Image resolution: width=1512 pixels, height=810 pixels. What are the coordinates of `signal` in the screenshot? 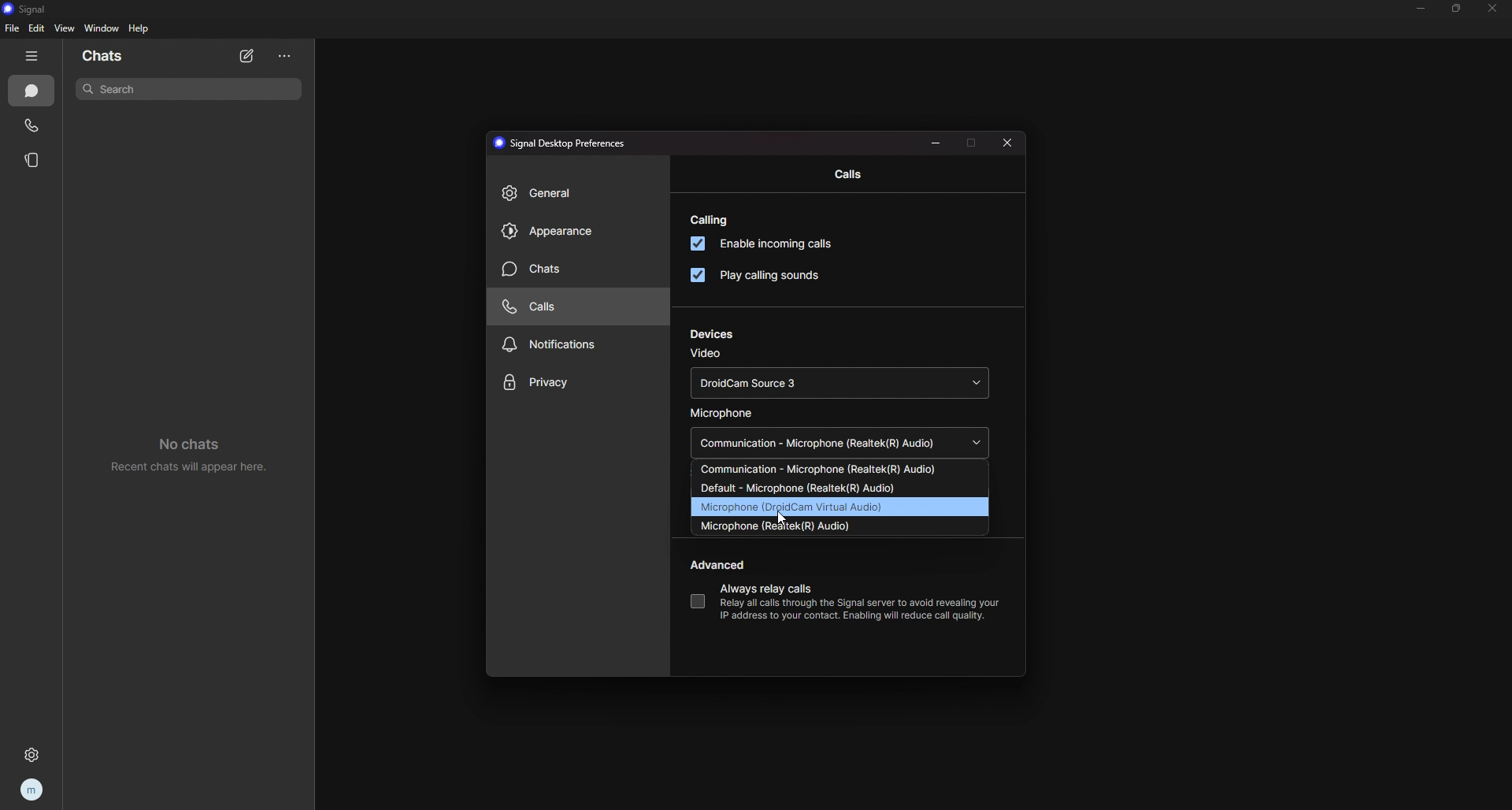 It's located at (37, 8).